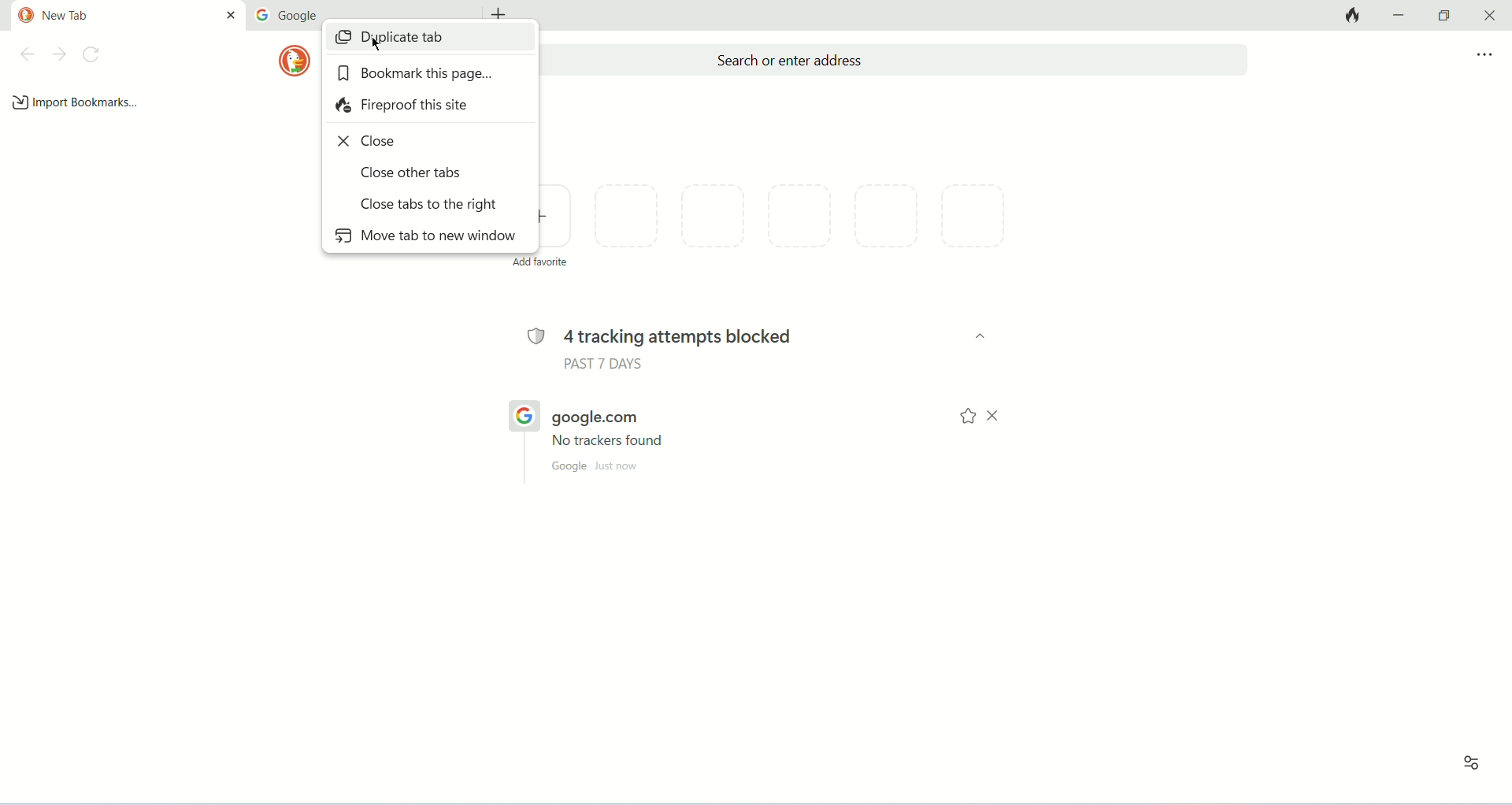 The image size is (1512, 805). I want to click on bookmark this page, so click(415, 75).